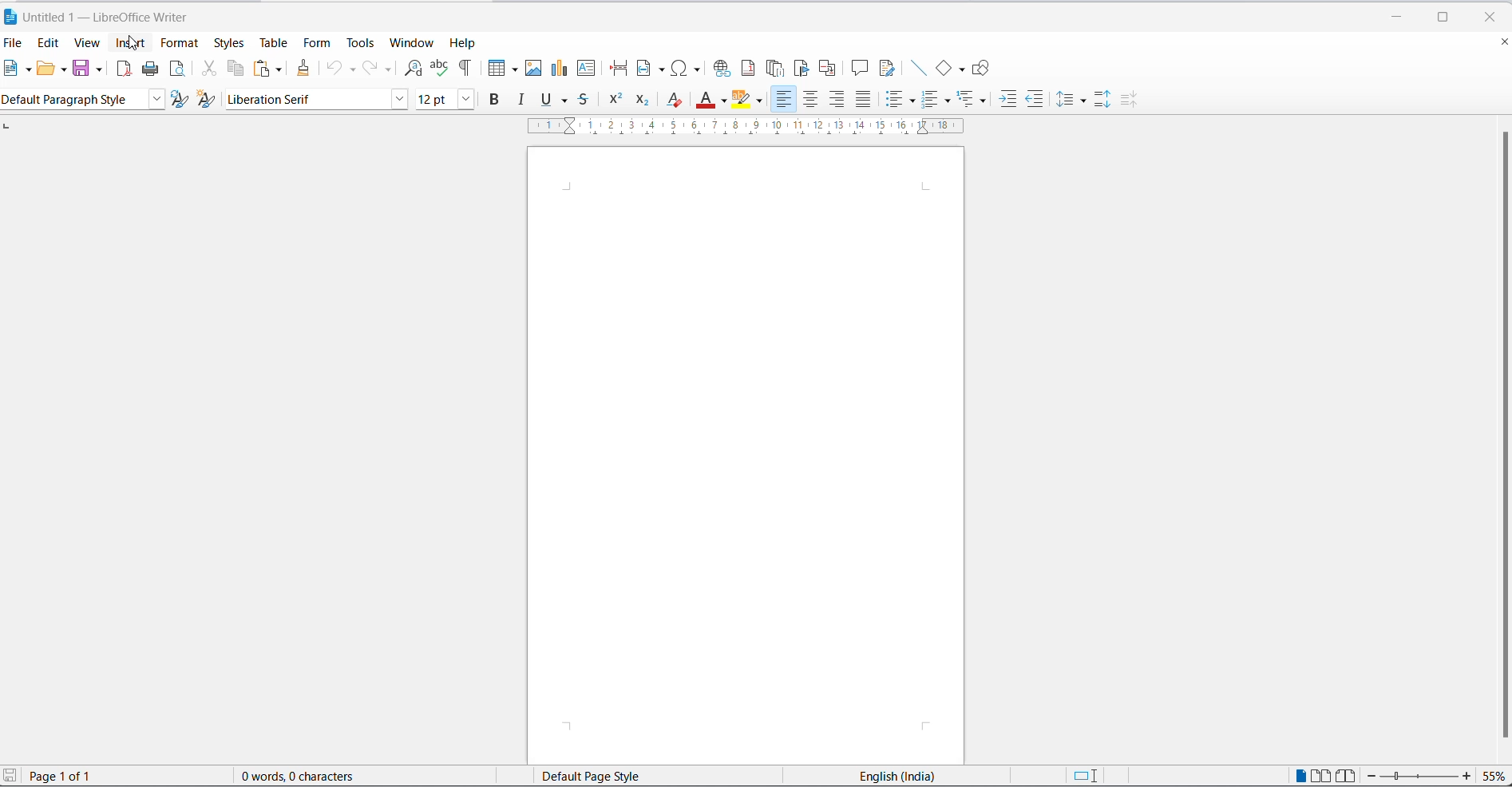 The width and height of the screenshot is (1512, 787). I want to click on paste options, so click(277, 68).